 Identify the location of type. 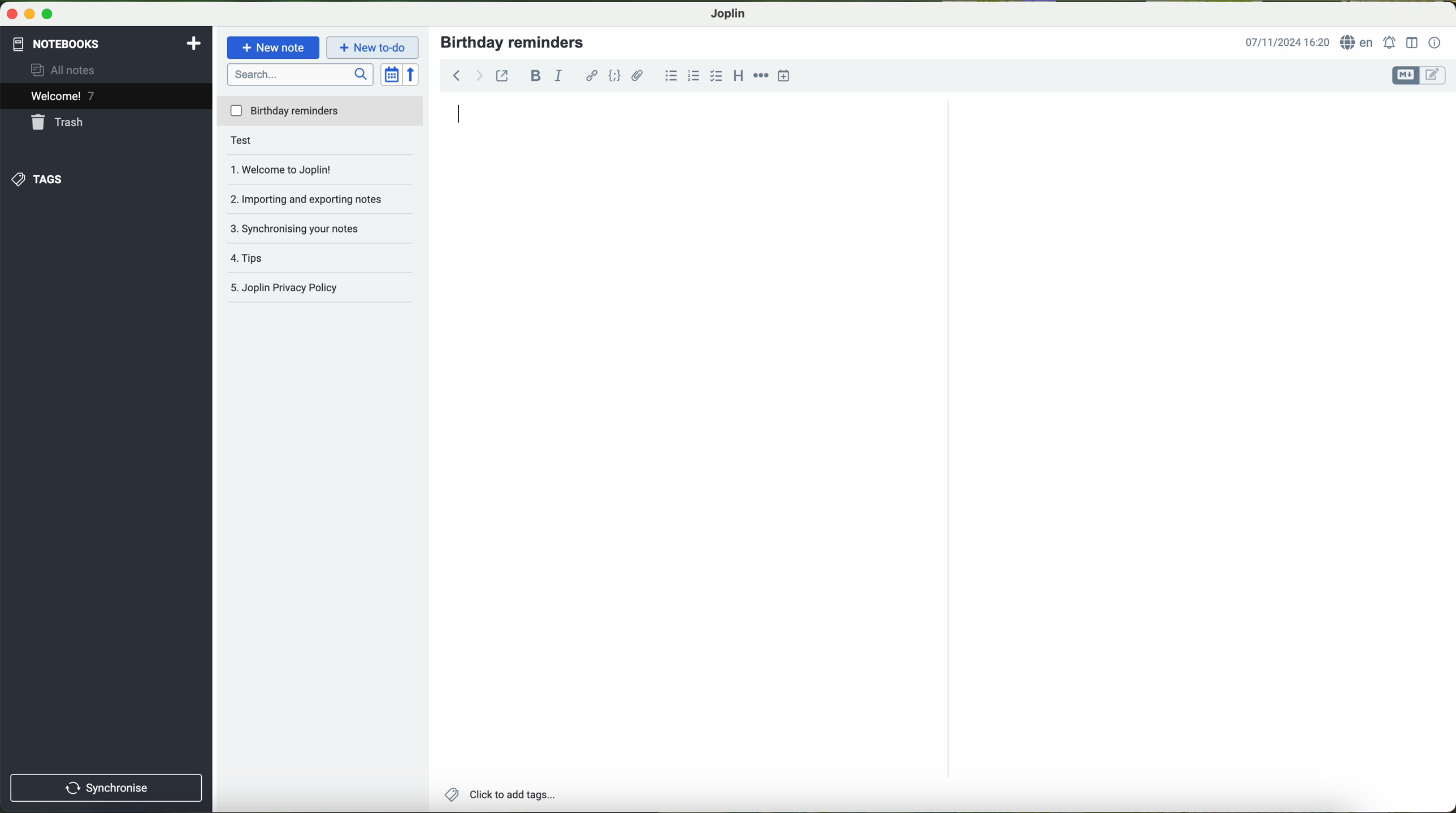
(460, 113).